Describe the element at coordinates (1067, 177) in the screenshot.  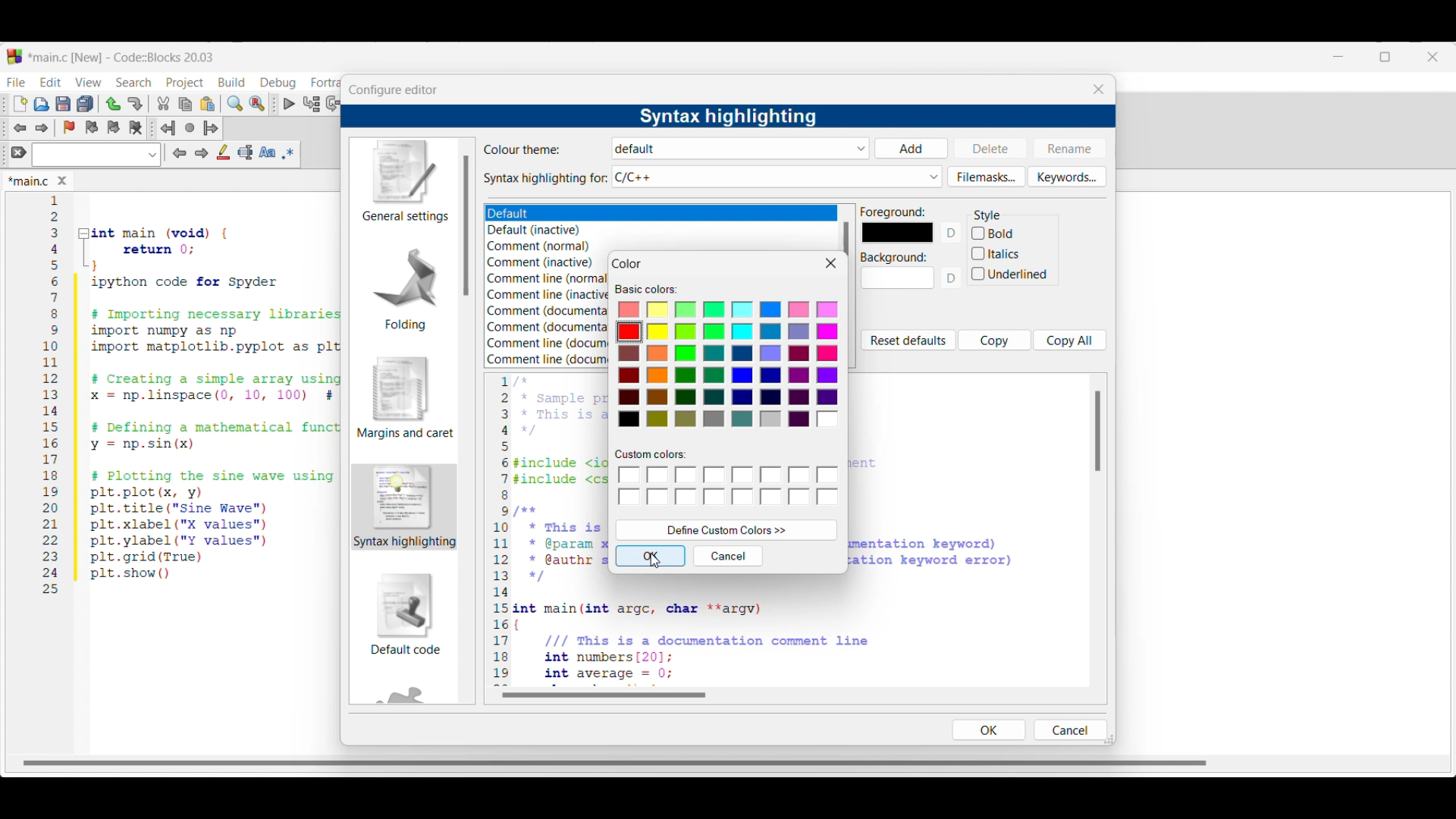
I see `Keywords` at that location.